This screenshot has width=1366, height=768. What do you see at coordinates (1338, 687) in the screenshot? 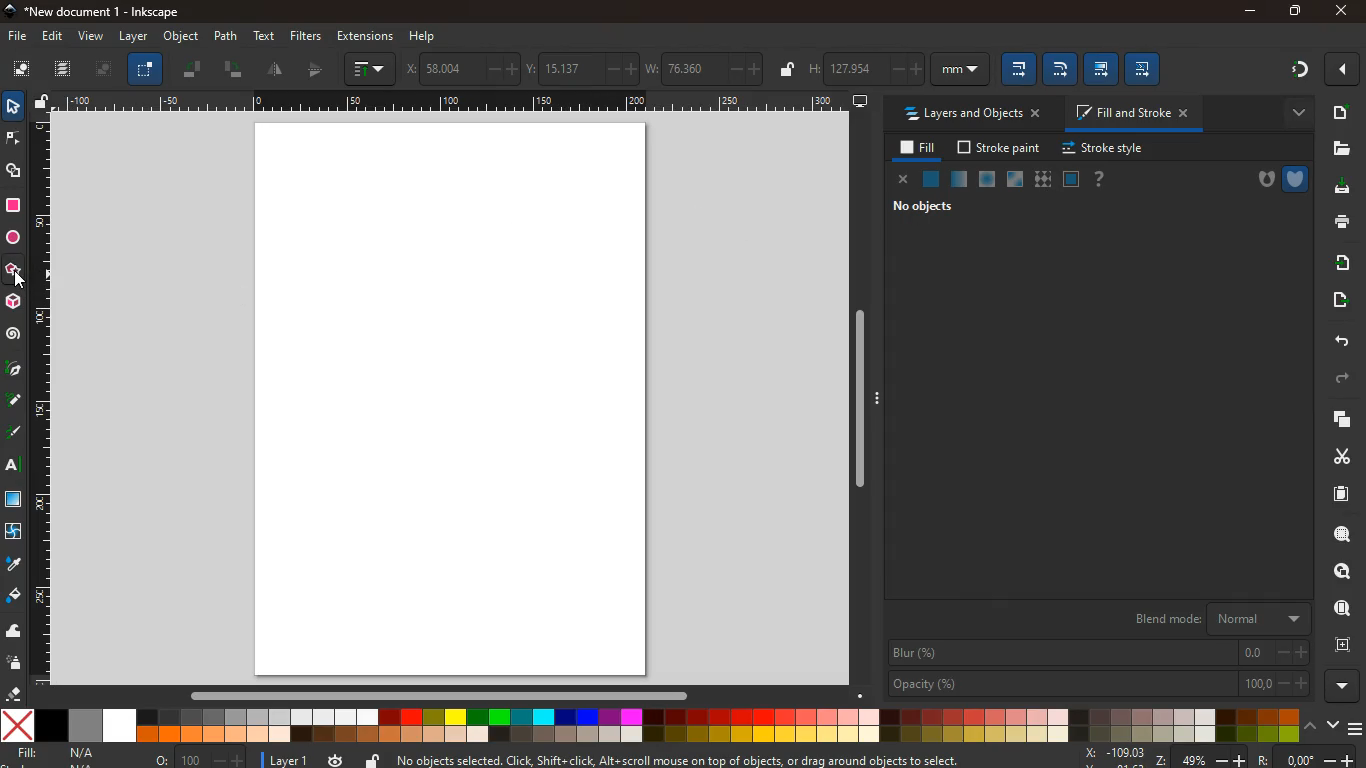
I see `more` at bounding box center [1338, 687].